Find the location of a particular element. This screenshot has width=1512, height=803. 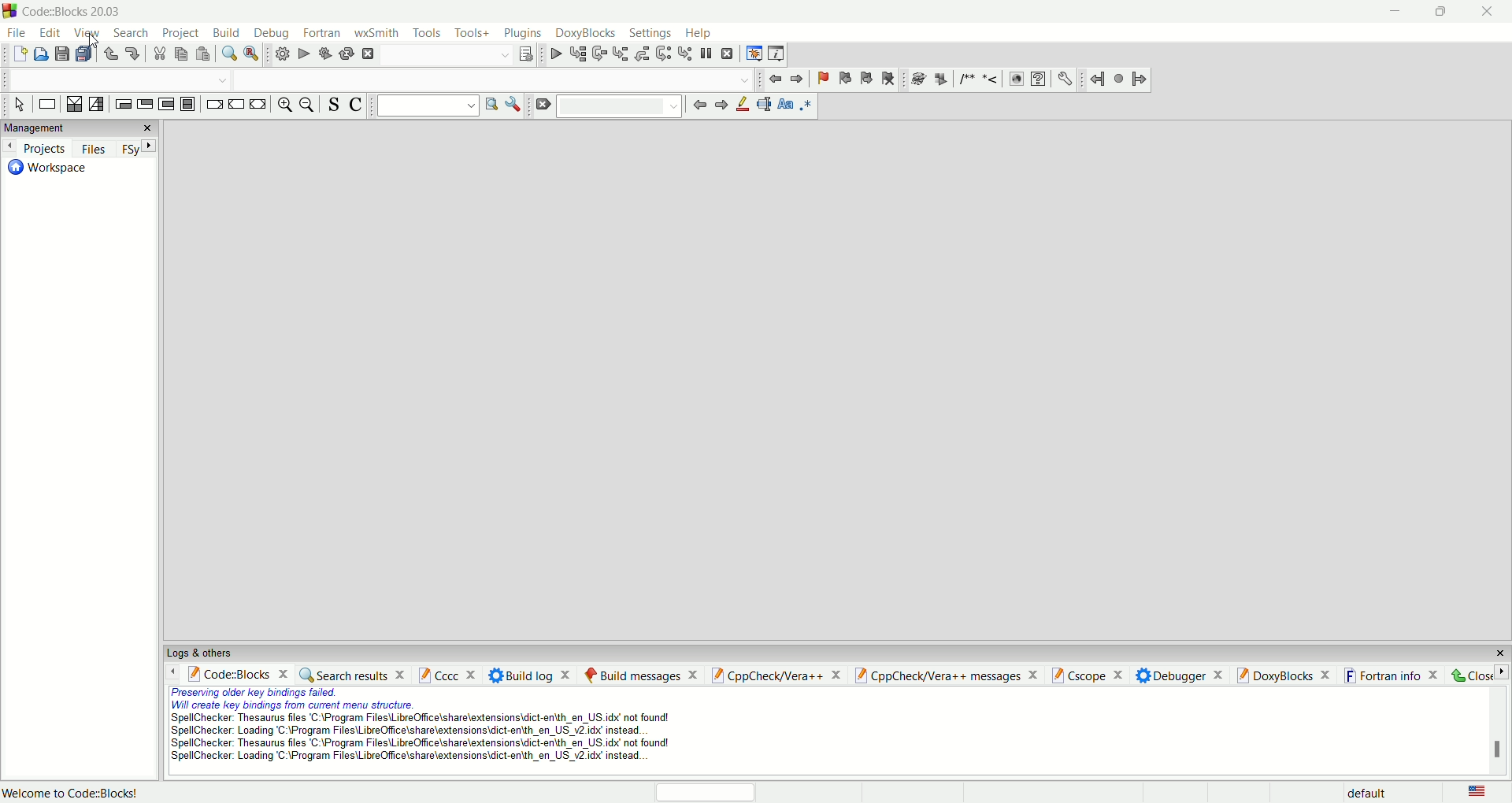

next bookmark is located at coordinates (866, 79).